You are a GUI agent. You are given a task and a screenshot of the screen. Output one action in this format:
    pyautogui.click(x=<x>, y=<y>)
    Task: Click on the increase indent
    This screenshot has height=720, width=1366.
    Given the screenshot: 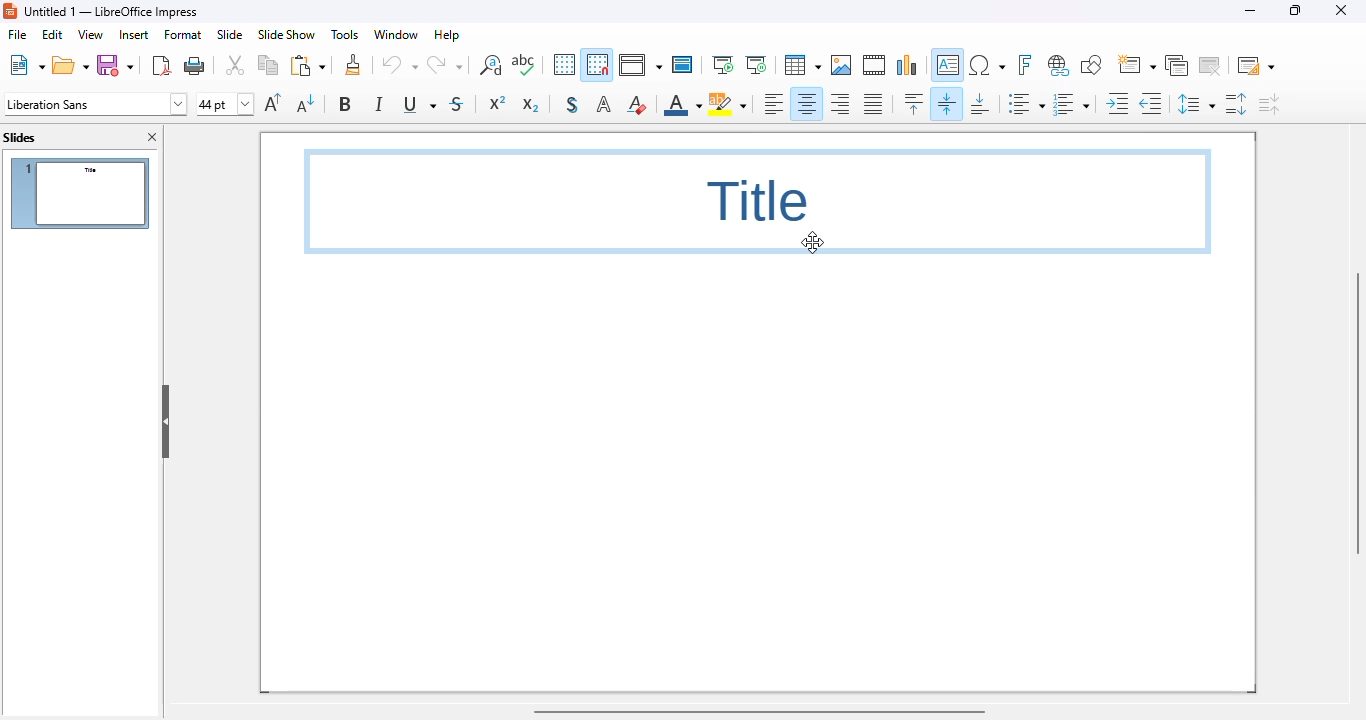 What is the action you would take?
    pyautogui.click(x=1117, y=103)
    